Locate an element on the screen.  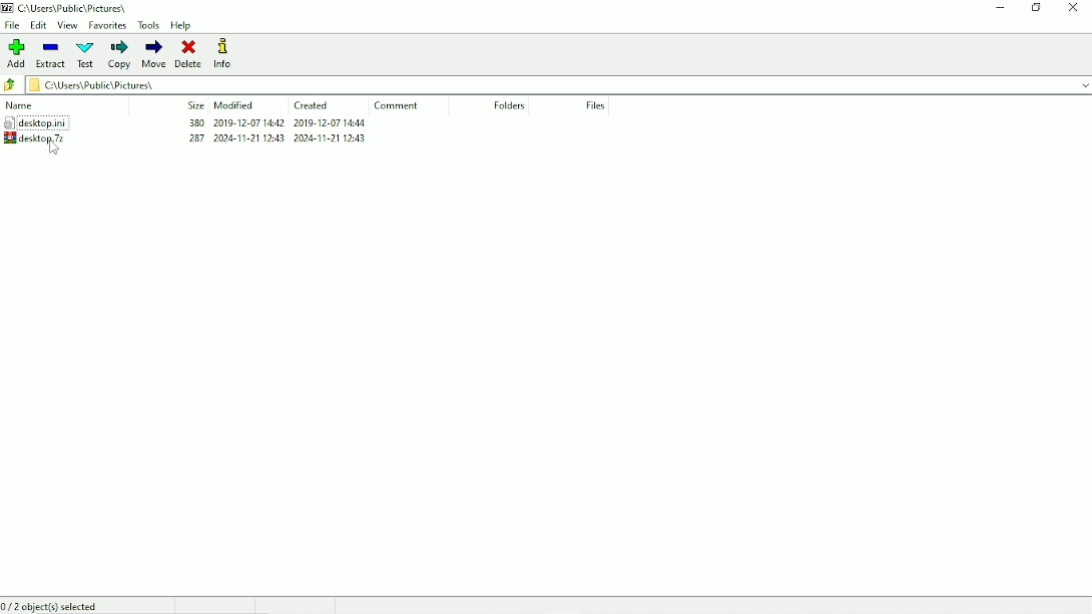
Folders is located at coordinates (509, 107).